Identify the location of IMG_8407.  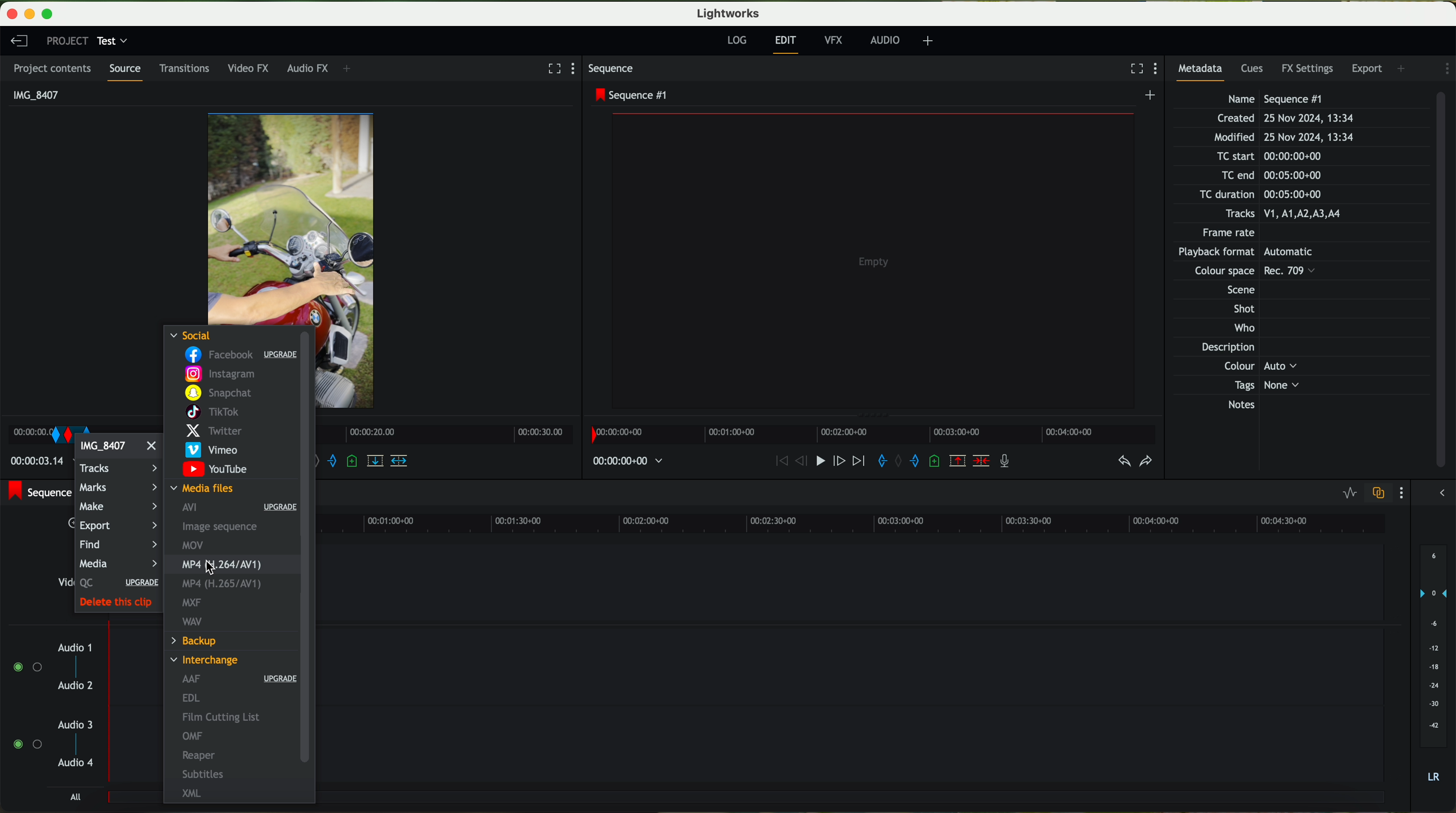
(33, 94).